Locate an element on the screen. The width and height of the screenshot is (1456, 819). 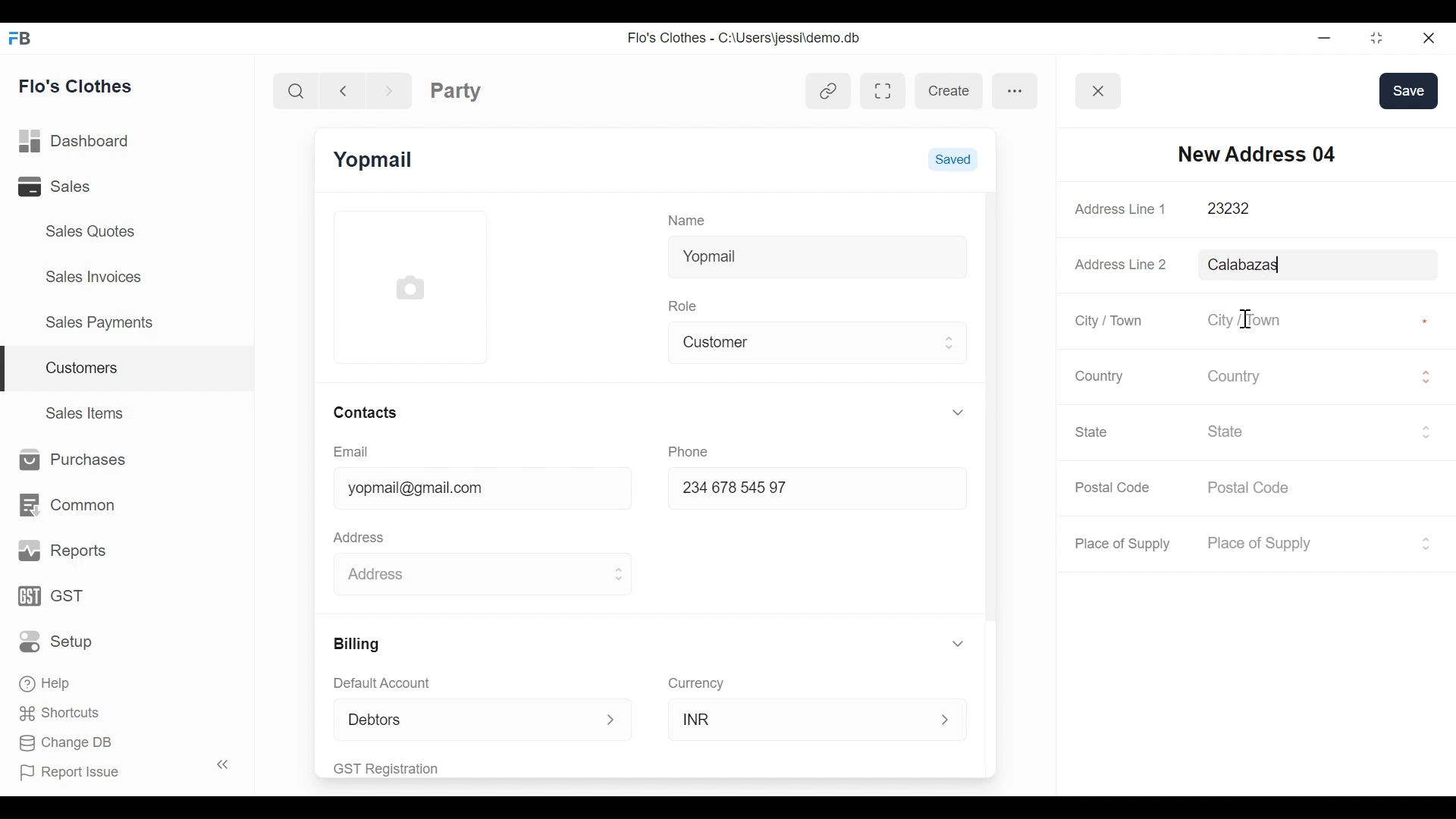
Common is located at coordinates (65, 505).